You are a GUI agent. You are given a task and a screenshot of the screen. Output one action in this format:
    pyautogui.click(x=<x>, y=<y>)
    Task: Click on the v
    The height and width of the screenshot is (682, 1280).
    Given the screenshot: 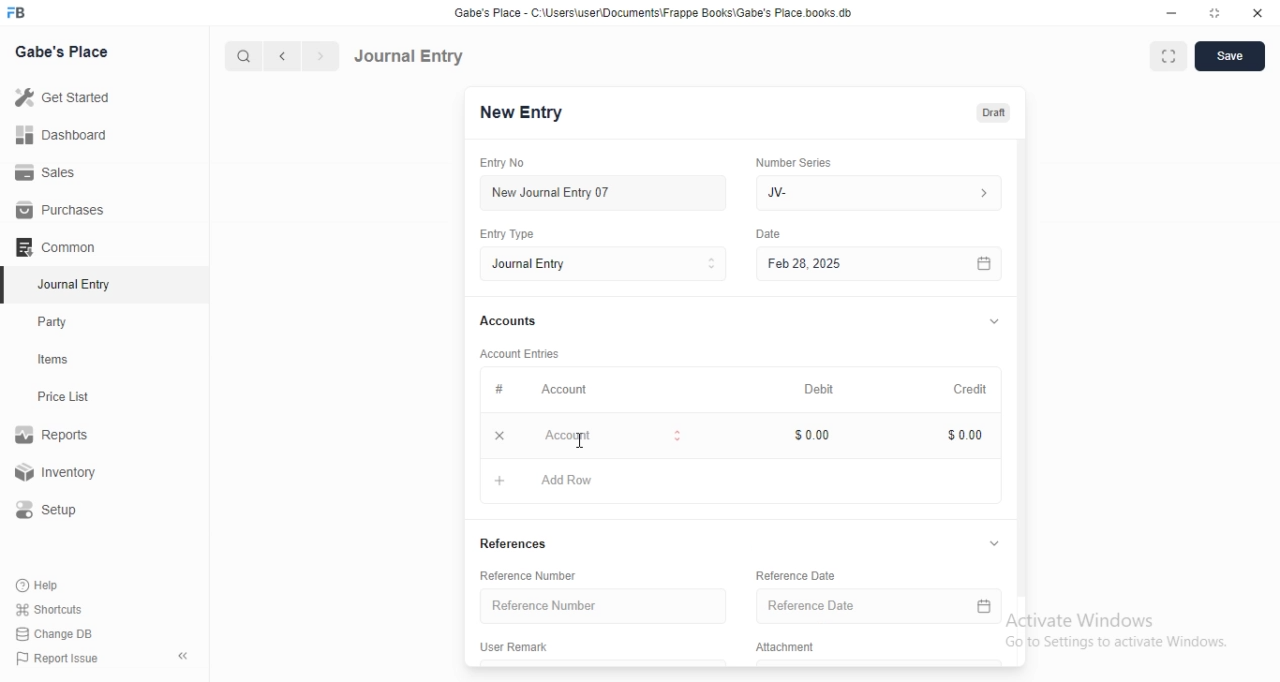 What is the action you would take?
    pyautogui.click(x=997, y=542)
    